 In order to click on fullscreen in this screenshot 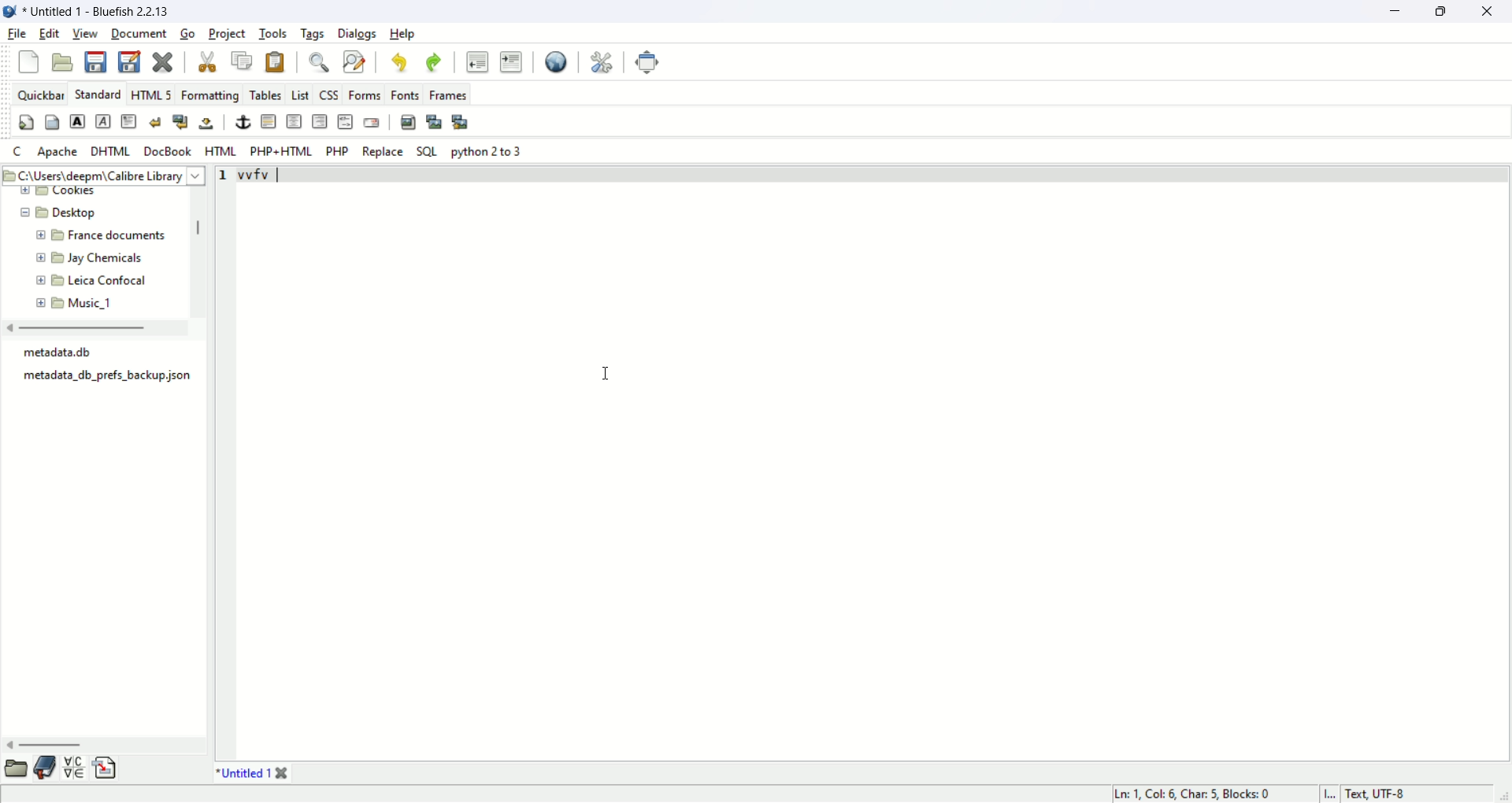, I will do `click(651, 63)`.